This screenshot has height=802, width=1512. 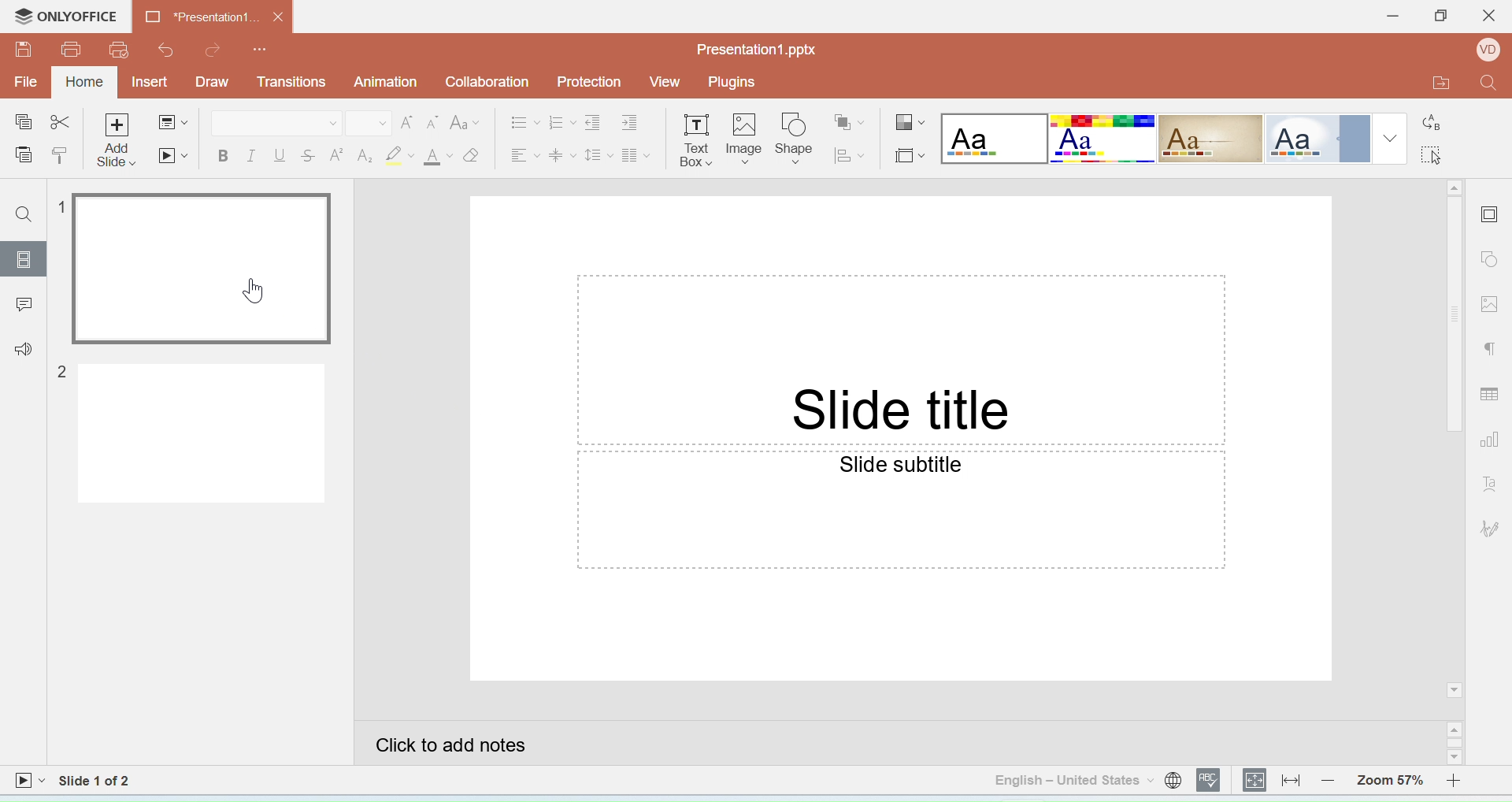 I want to click on Minimise, so click(x=1387, y=17).